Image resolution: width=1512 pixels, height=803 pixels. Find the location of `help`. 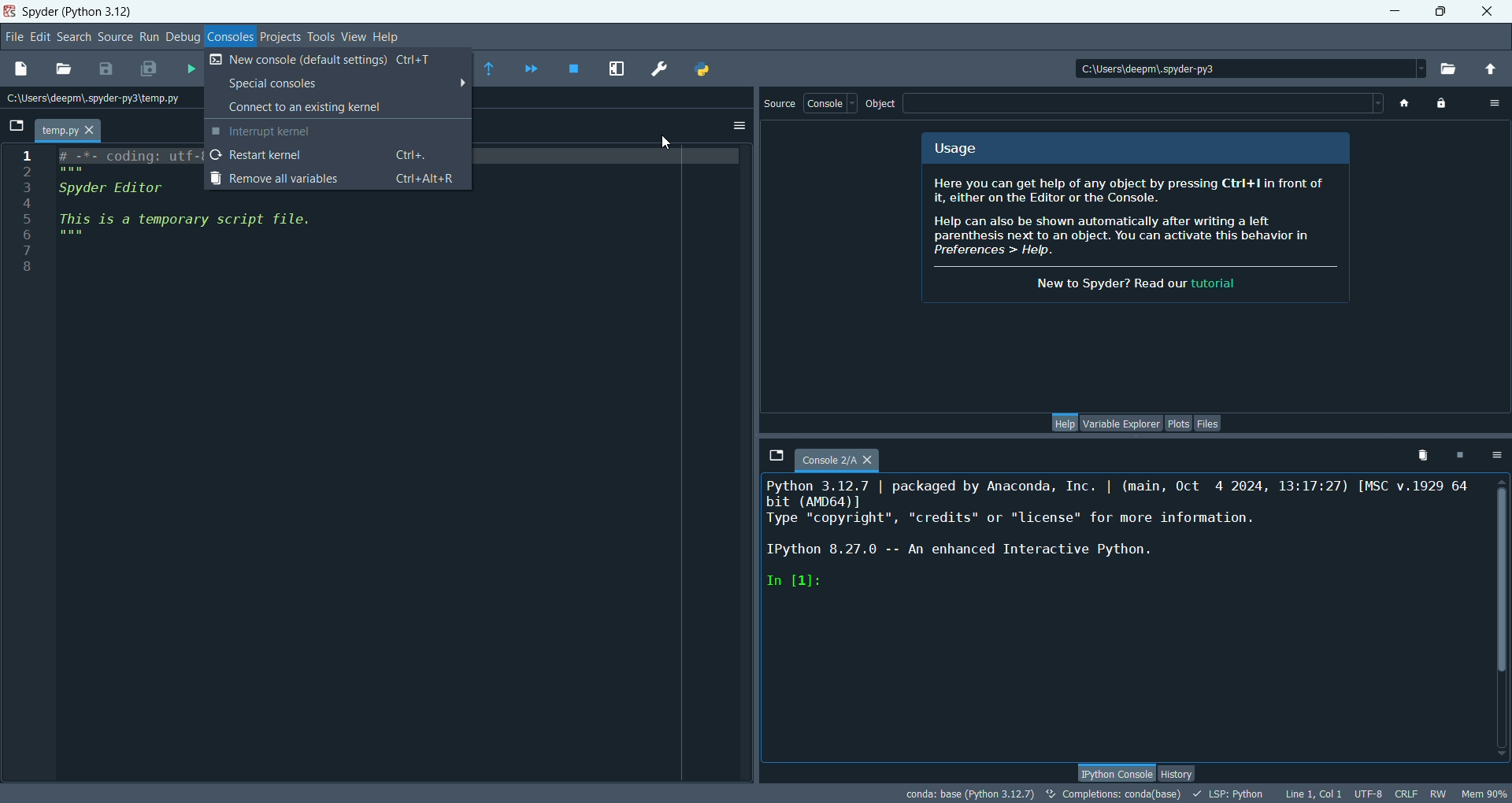

help is located at coordinates (1065, 423).